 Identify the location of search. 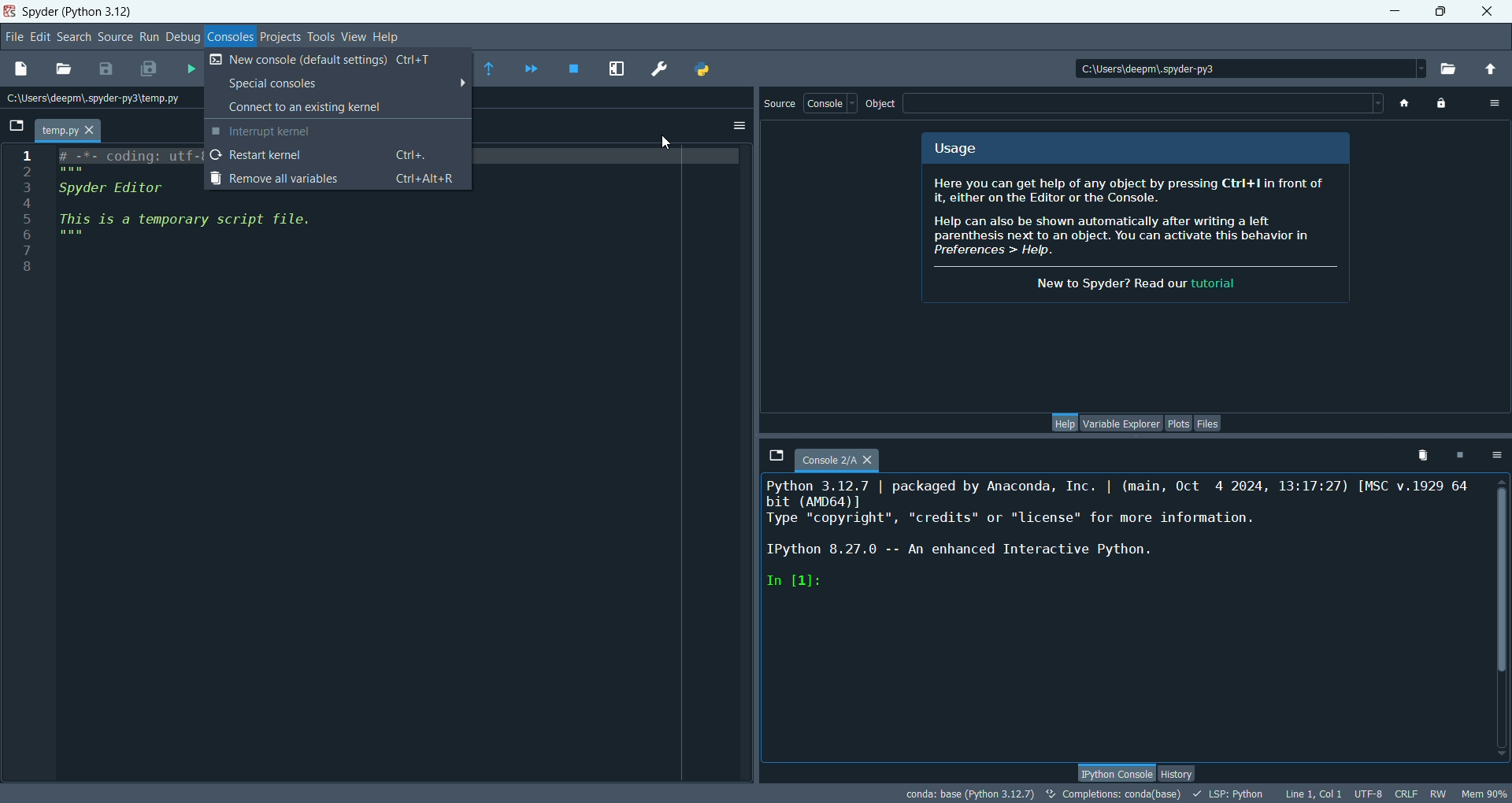
(74, 39).